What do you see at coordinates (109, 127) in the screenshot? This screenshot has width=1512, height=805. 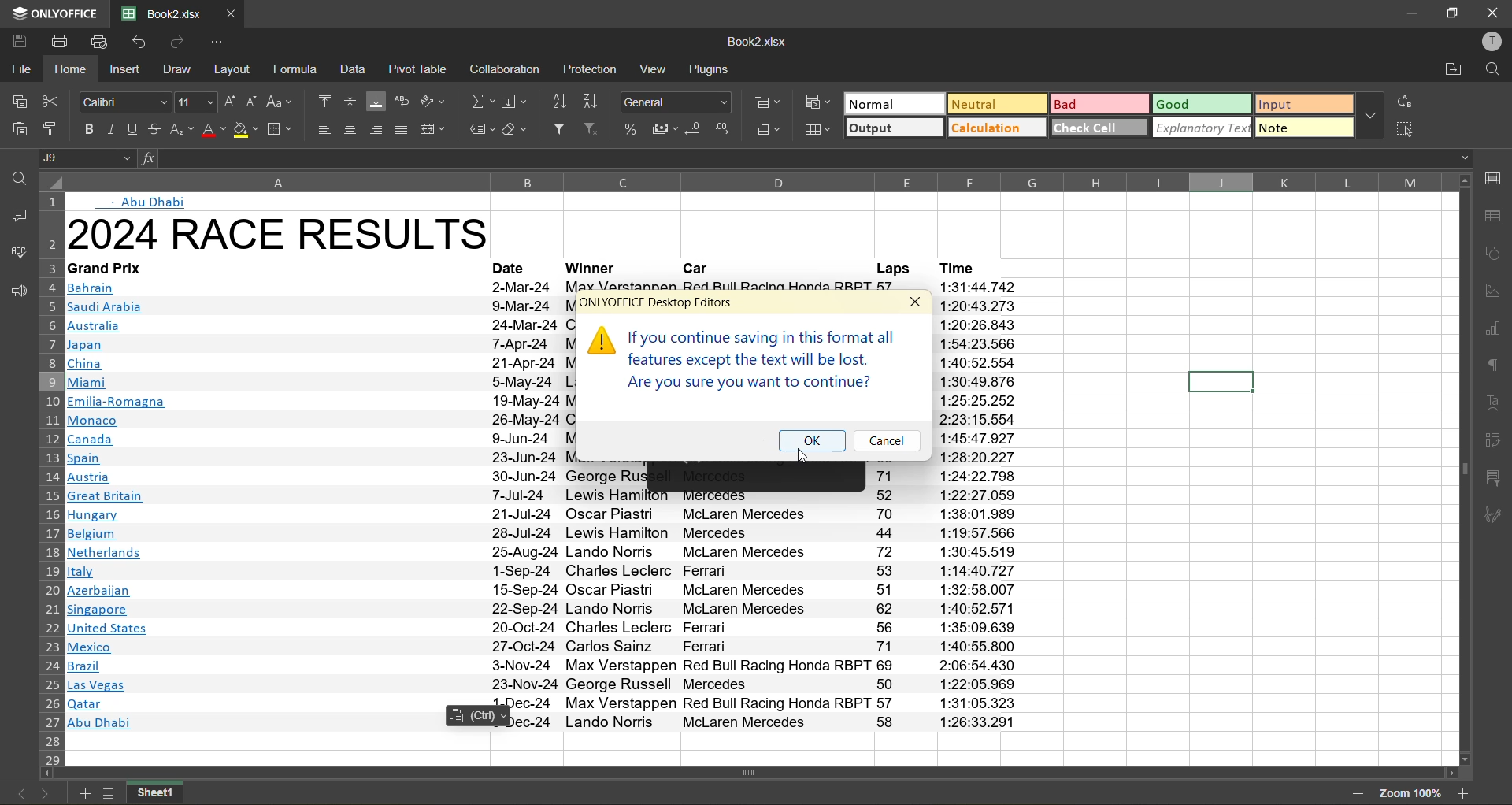 I see `italic` at bounding box center [109, 127].